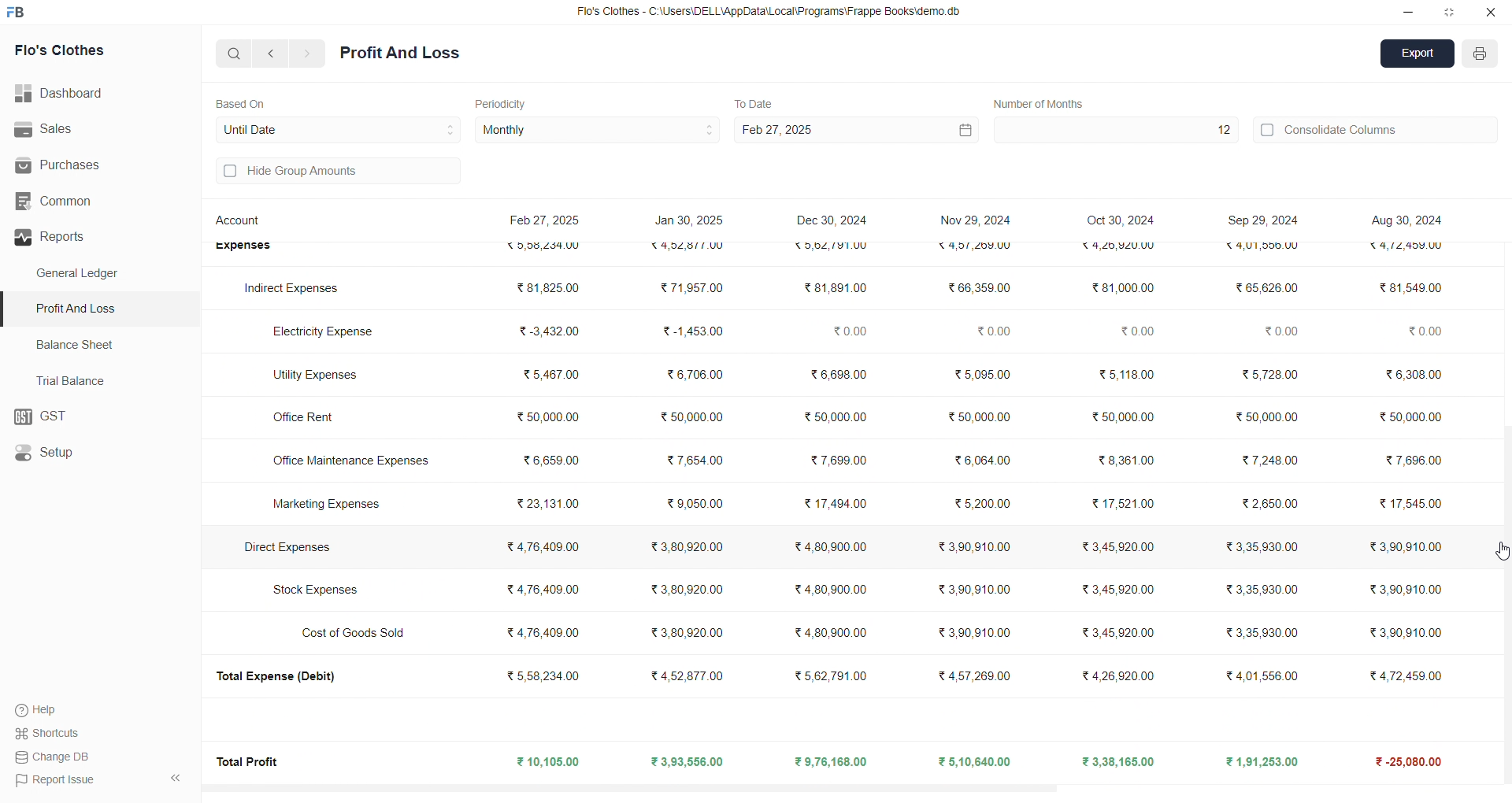  I want to click on ₹4,52,877.00, so click(693, 677).